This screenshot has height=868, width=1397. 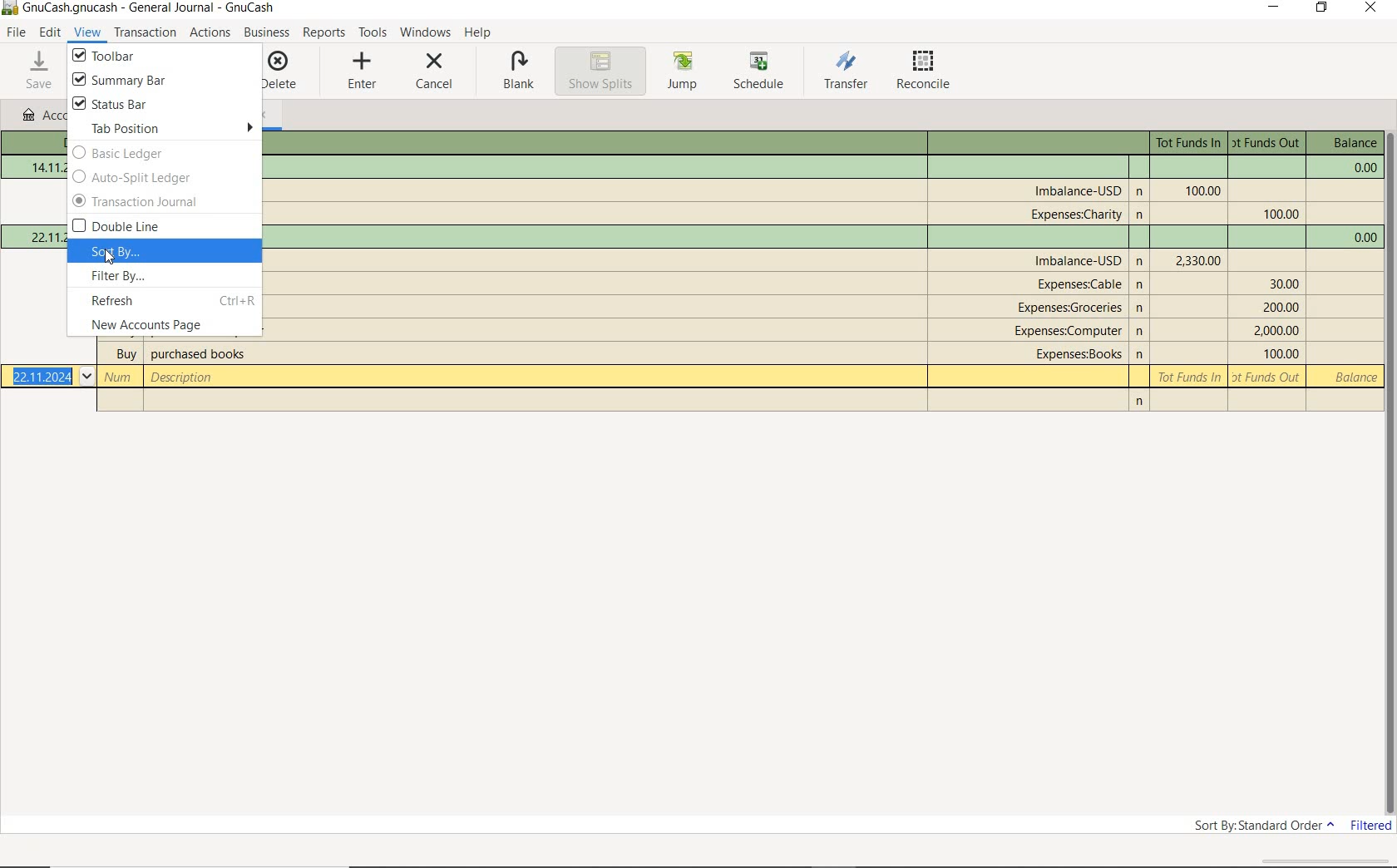 I want to click on n, so click(x=1142, y=309).